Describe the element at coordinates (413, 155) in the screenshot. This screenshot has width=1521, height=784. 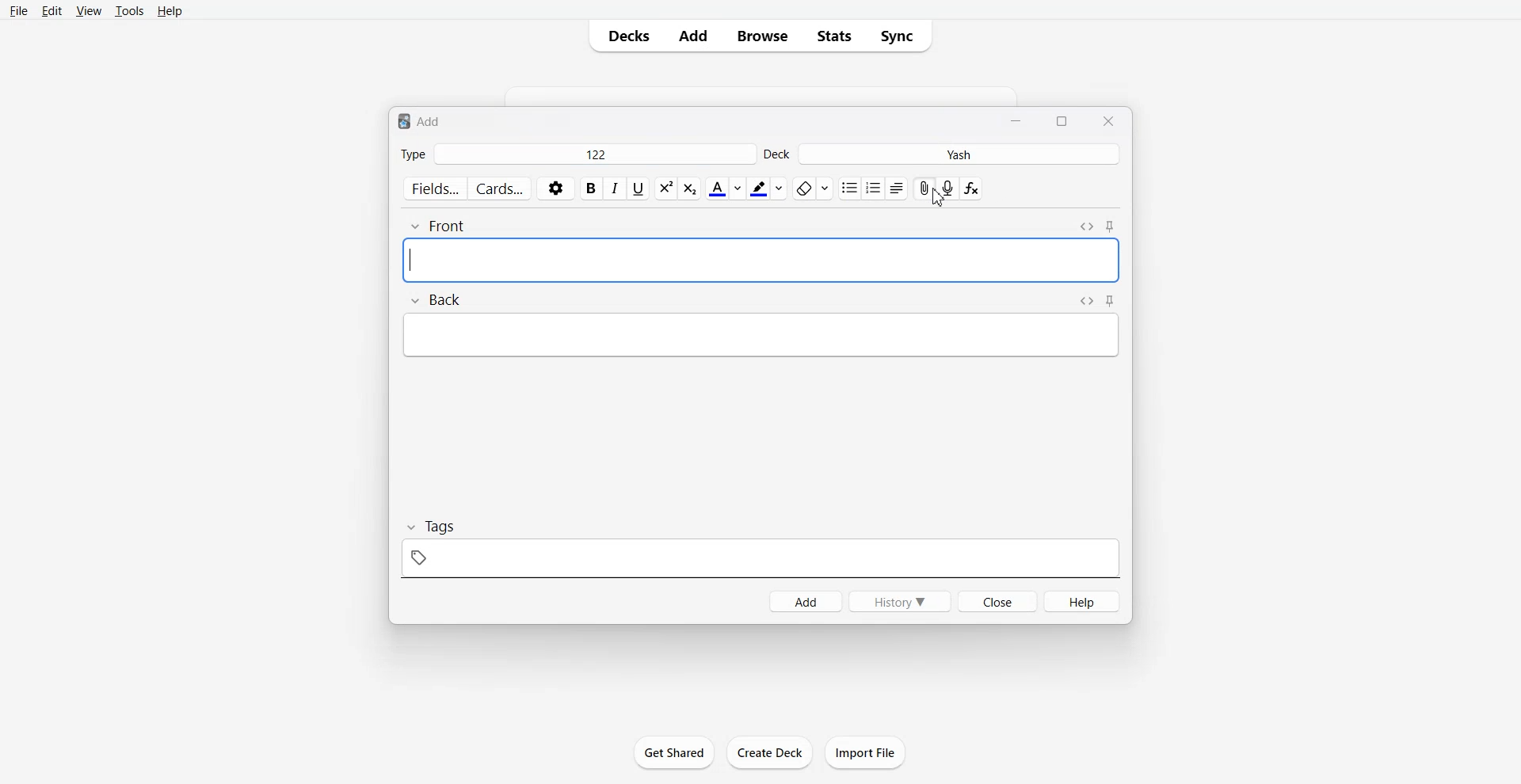
I see `Type` at that location.